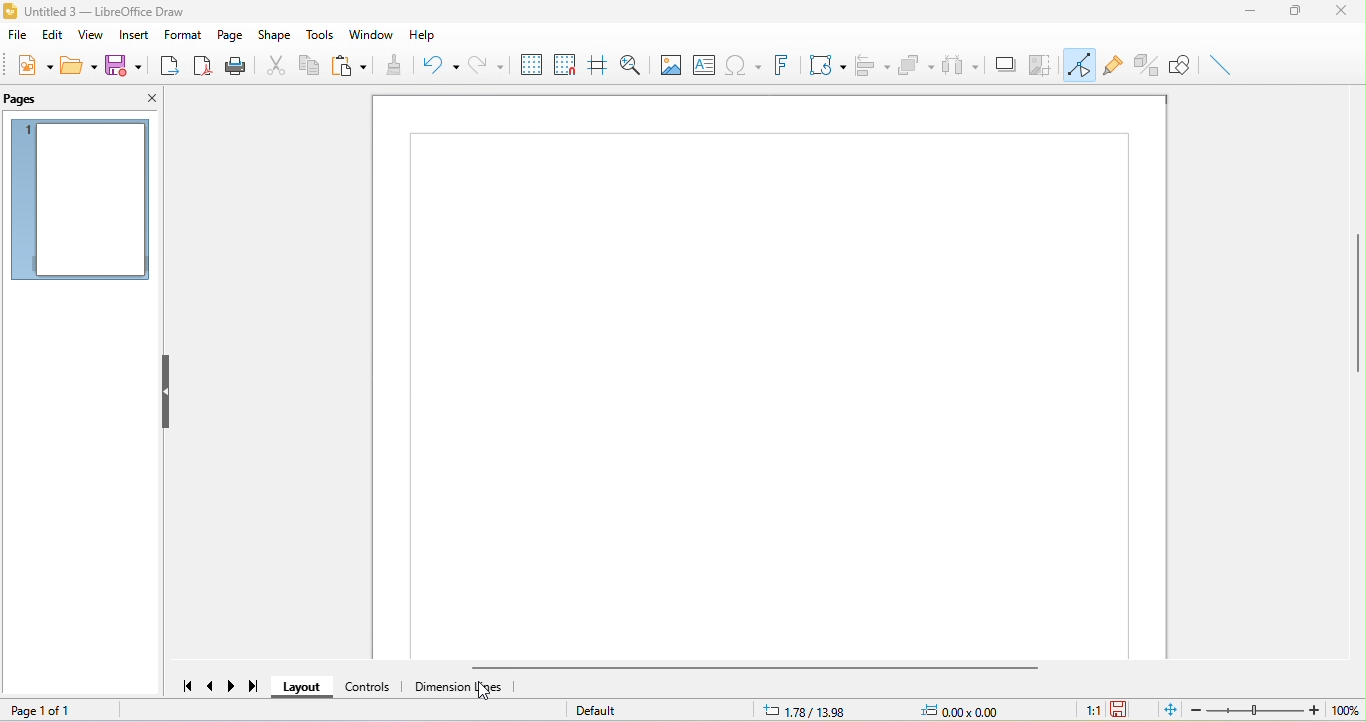  What do you see at coordinates (1182, 65) in the screenshot?
I see `show draw function` at bounding box center [1182, 65].